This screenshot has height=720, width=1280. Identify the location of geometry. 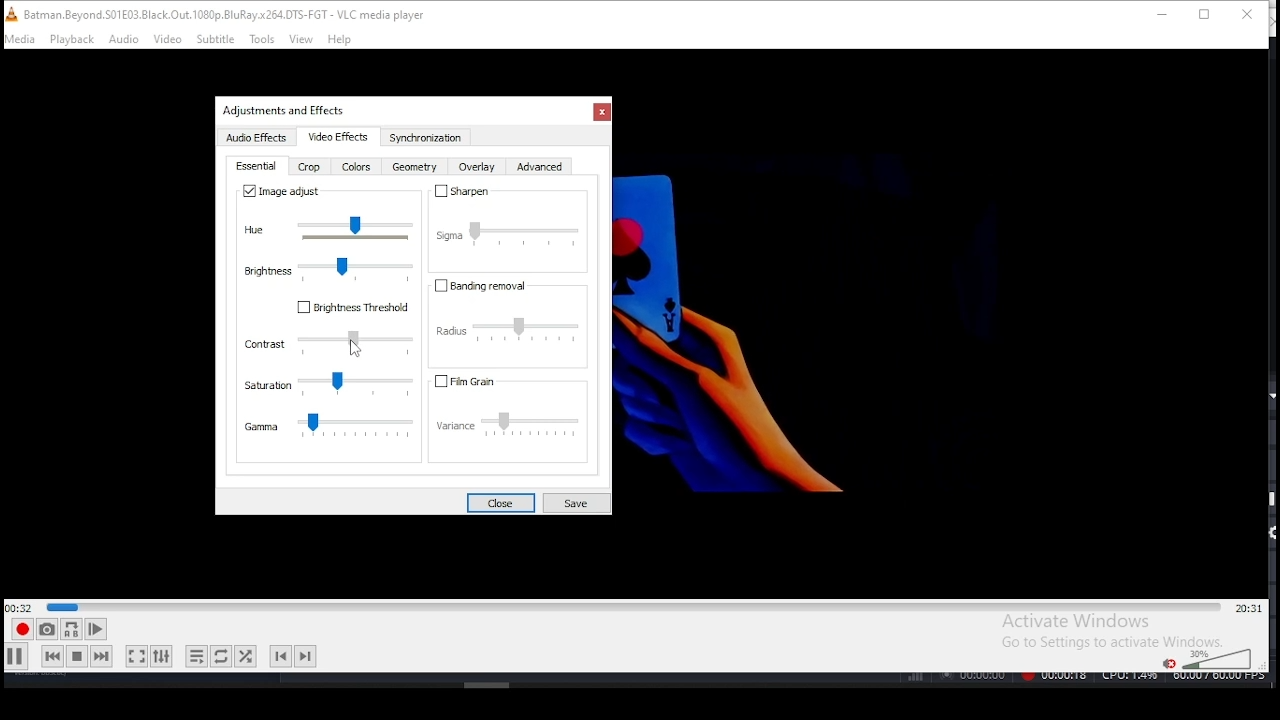
(413, 170).